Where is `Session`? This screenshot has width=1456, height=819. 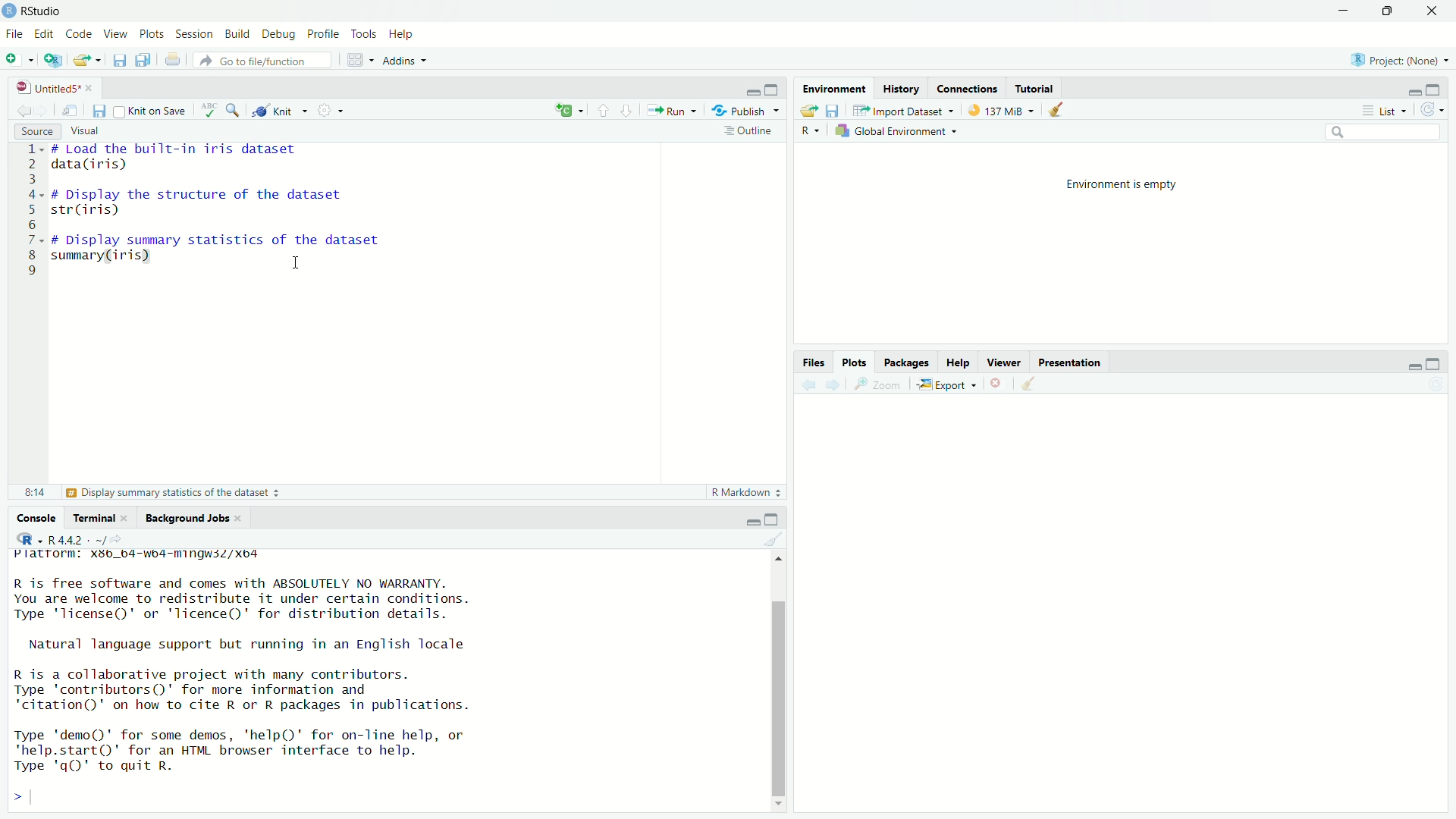
Session is located at coordinates (195, 33).